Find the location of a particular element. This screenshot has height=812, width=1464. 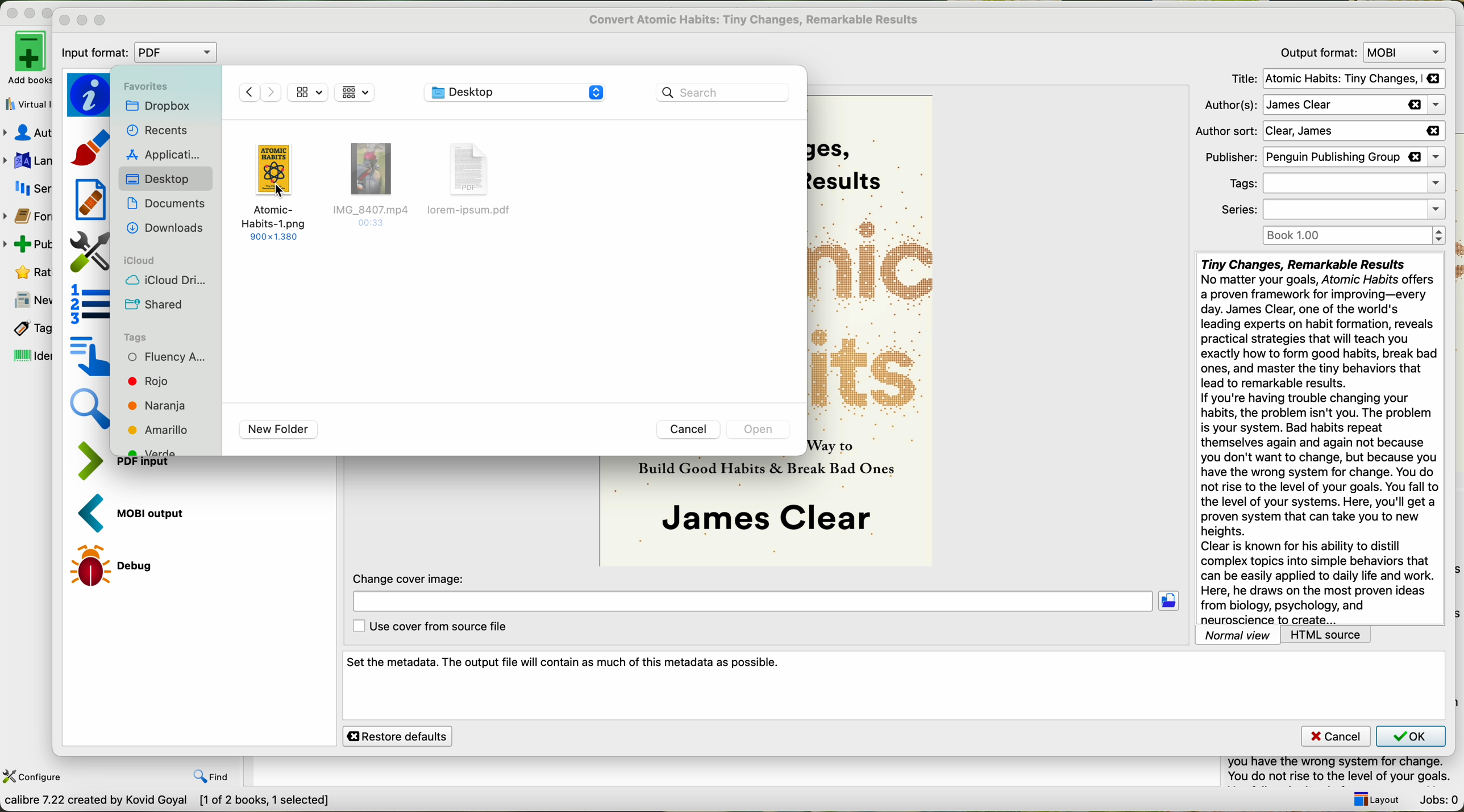

dropbox is located at coordinates (157, 106).